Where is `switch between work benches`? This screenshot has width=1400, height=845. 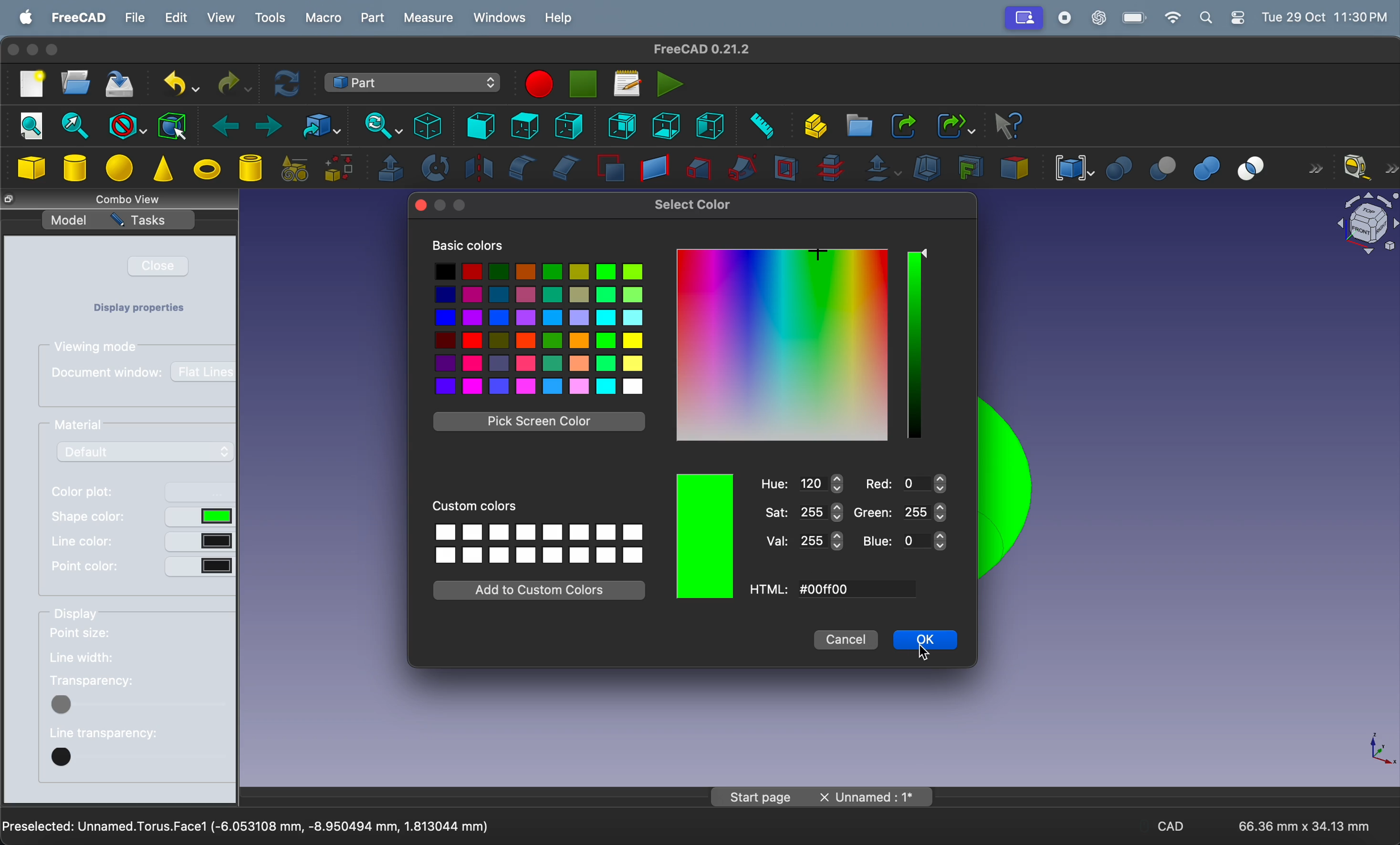
switch between work benches is located at coordinates (413, 83).